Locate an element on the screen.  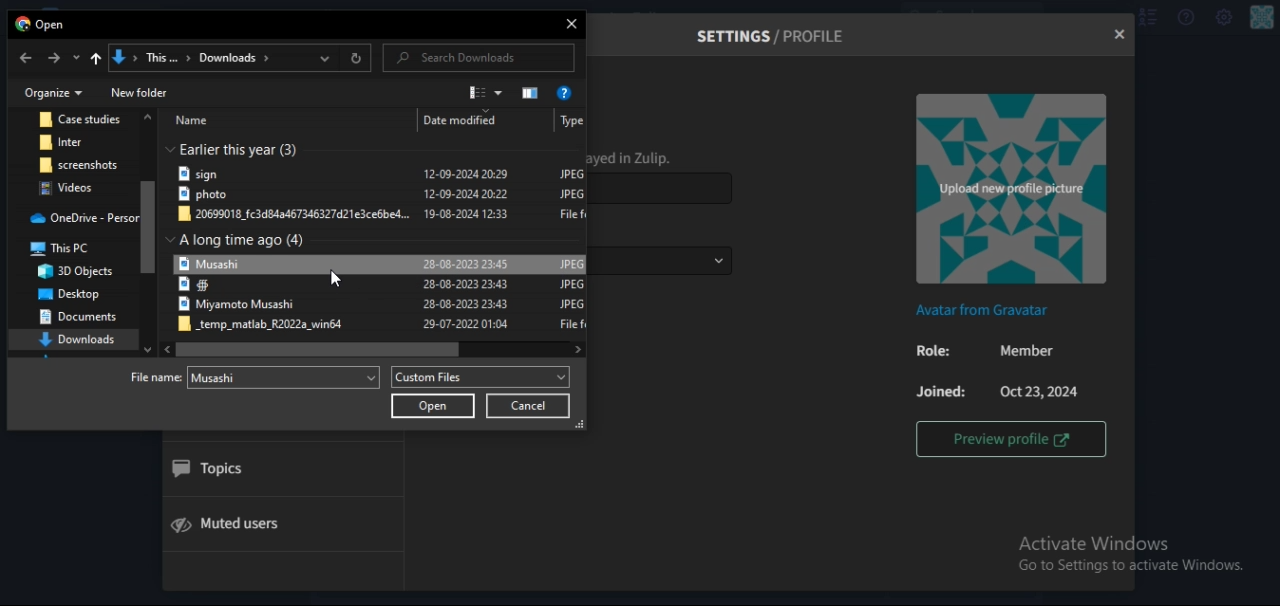
this pc is located at coordinates (71, 251).